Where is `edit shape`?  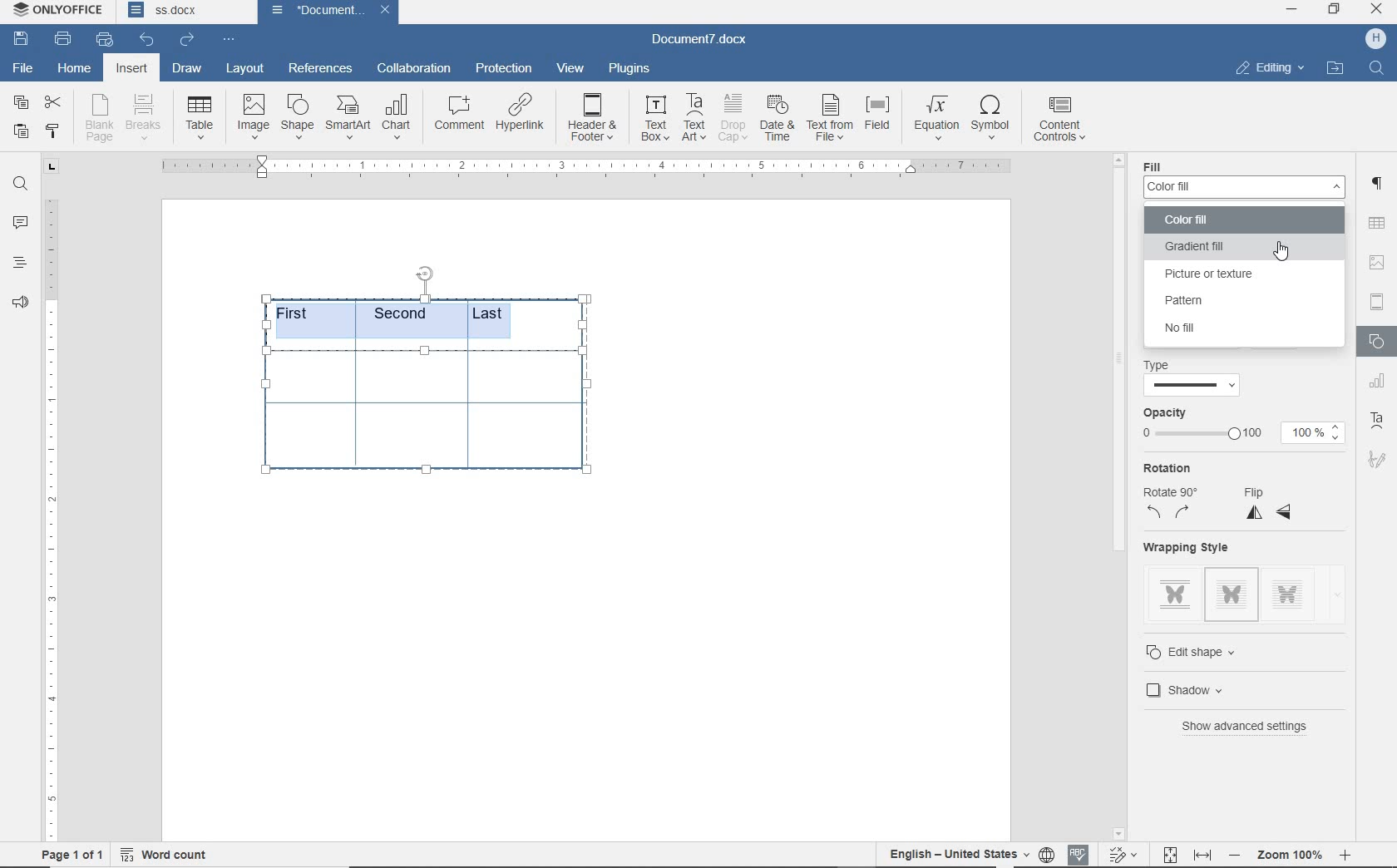 edit shape is located at coordinates (1207, 652).